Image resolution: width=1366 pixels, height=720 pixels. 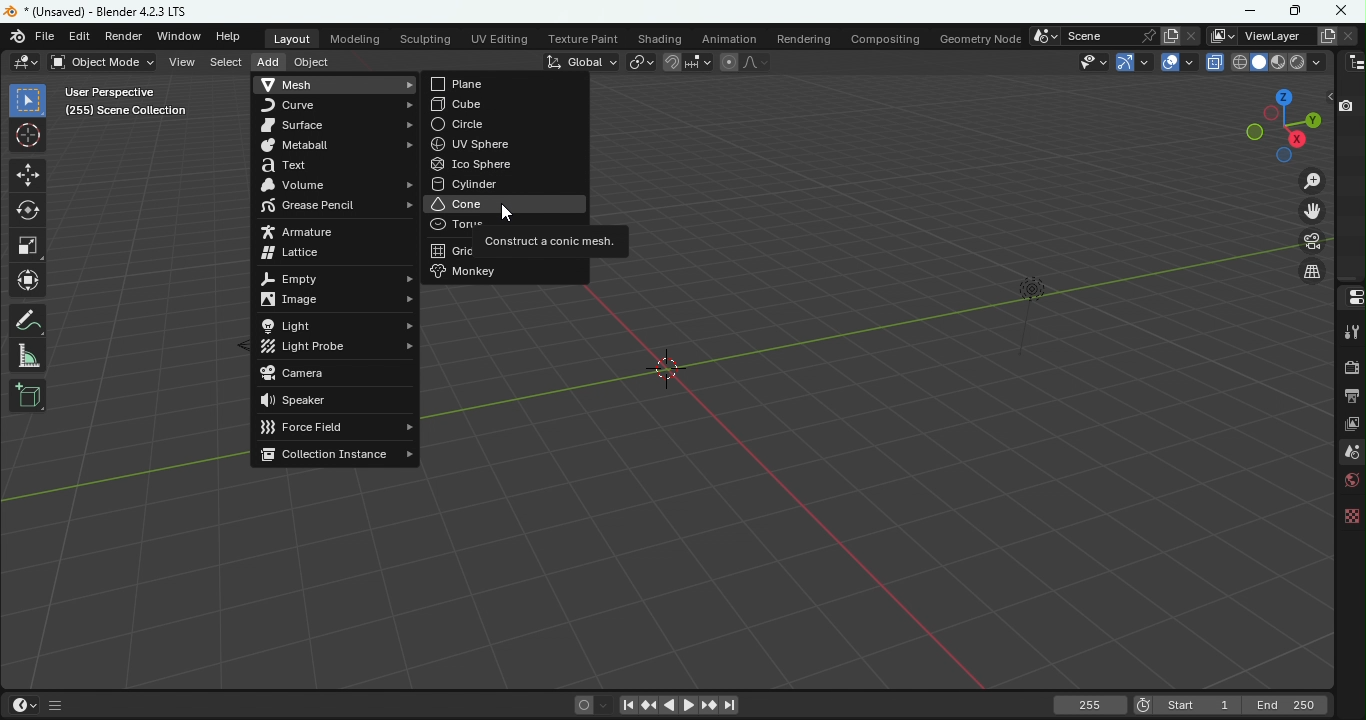 What do you see at coordinates (1189, 62) in the screenshot?
I see `Overlays` at bounding box center [1189, 62].